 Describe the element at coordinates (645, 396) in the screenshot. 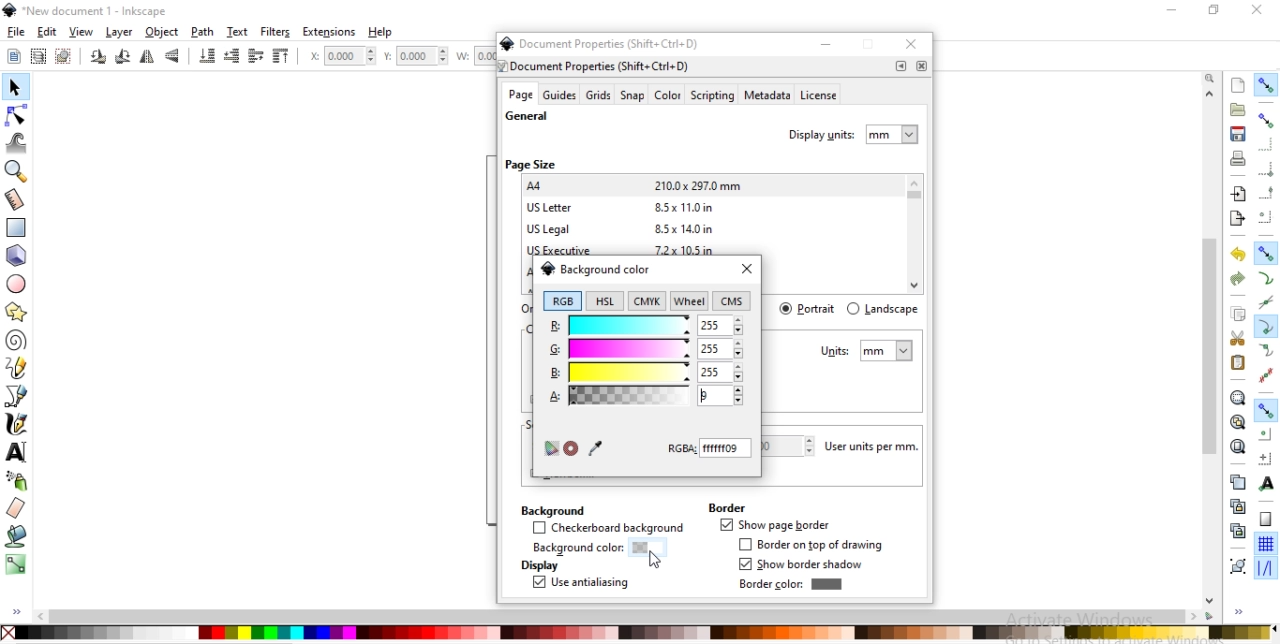

I see `alpha` at that location.